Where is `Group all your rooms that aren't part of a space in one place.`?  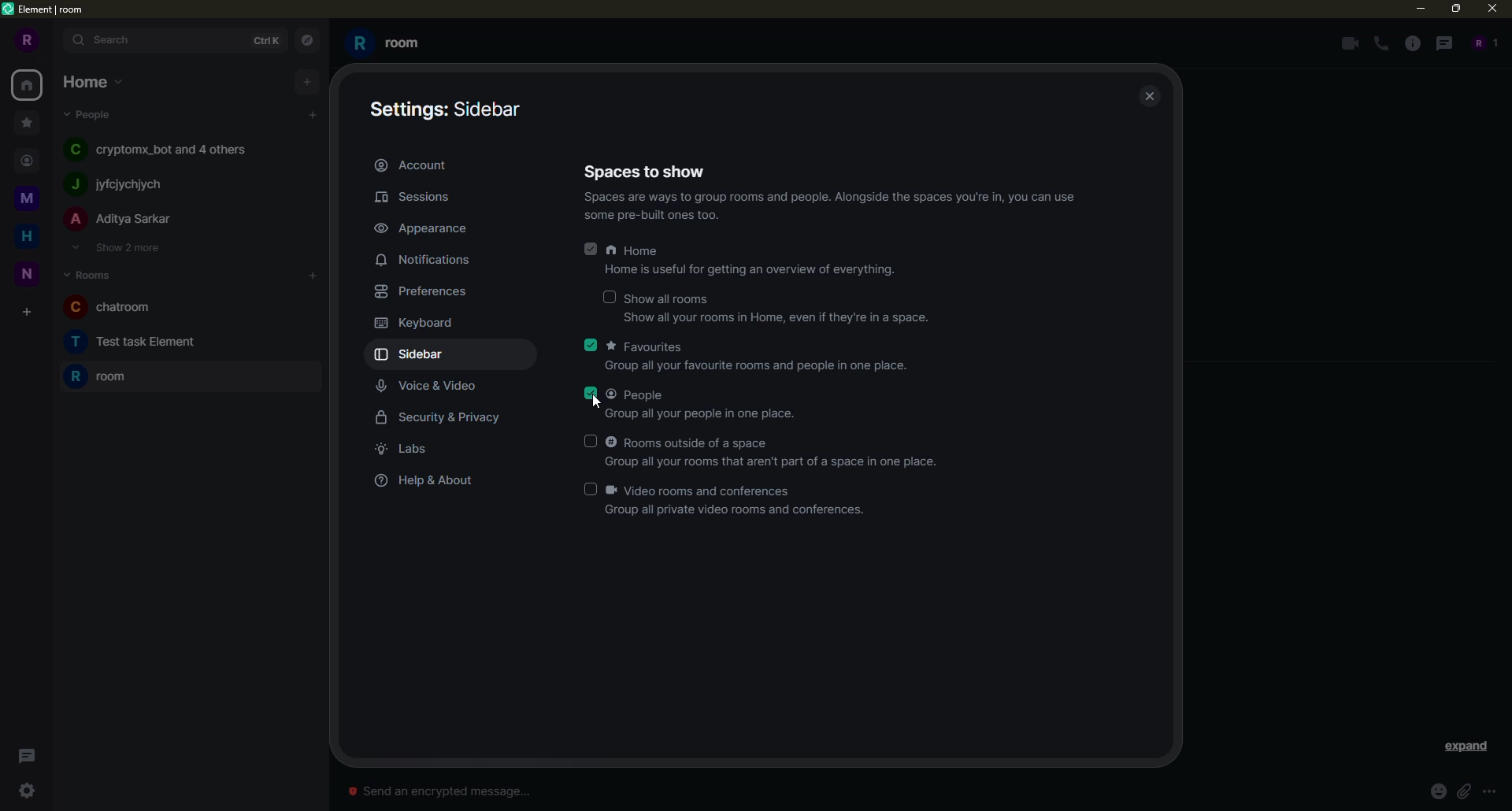 Group all your rooms that aren't part of a space in one place. is located at coordinates (781, 460).